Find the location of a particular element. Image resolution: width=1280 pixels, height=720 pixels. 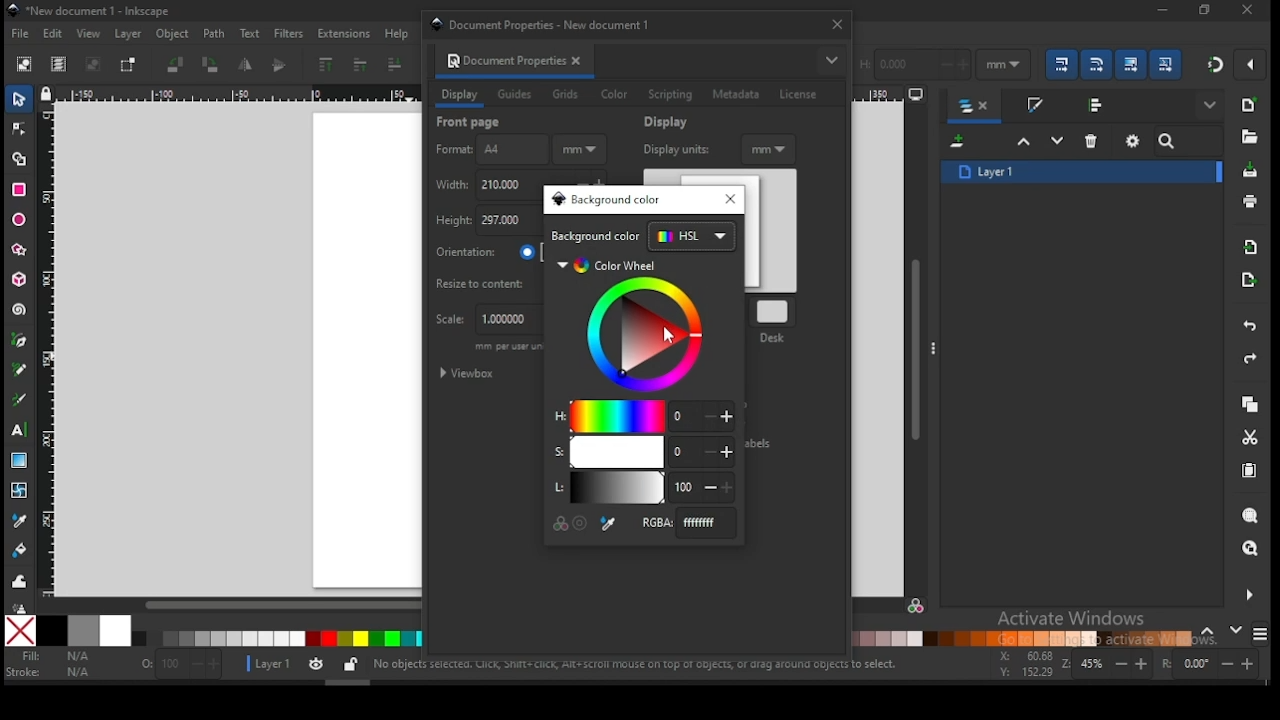

dropper tool is located at coordinates (20, 519).